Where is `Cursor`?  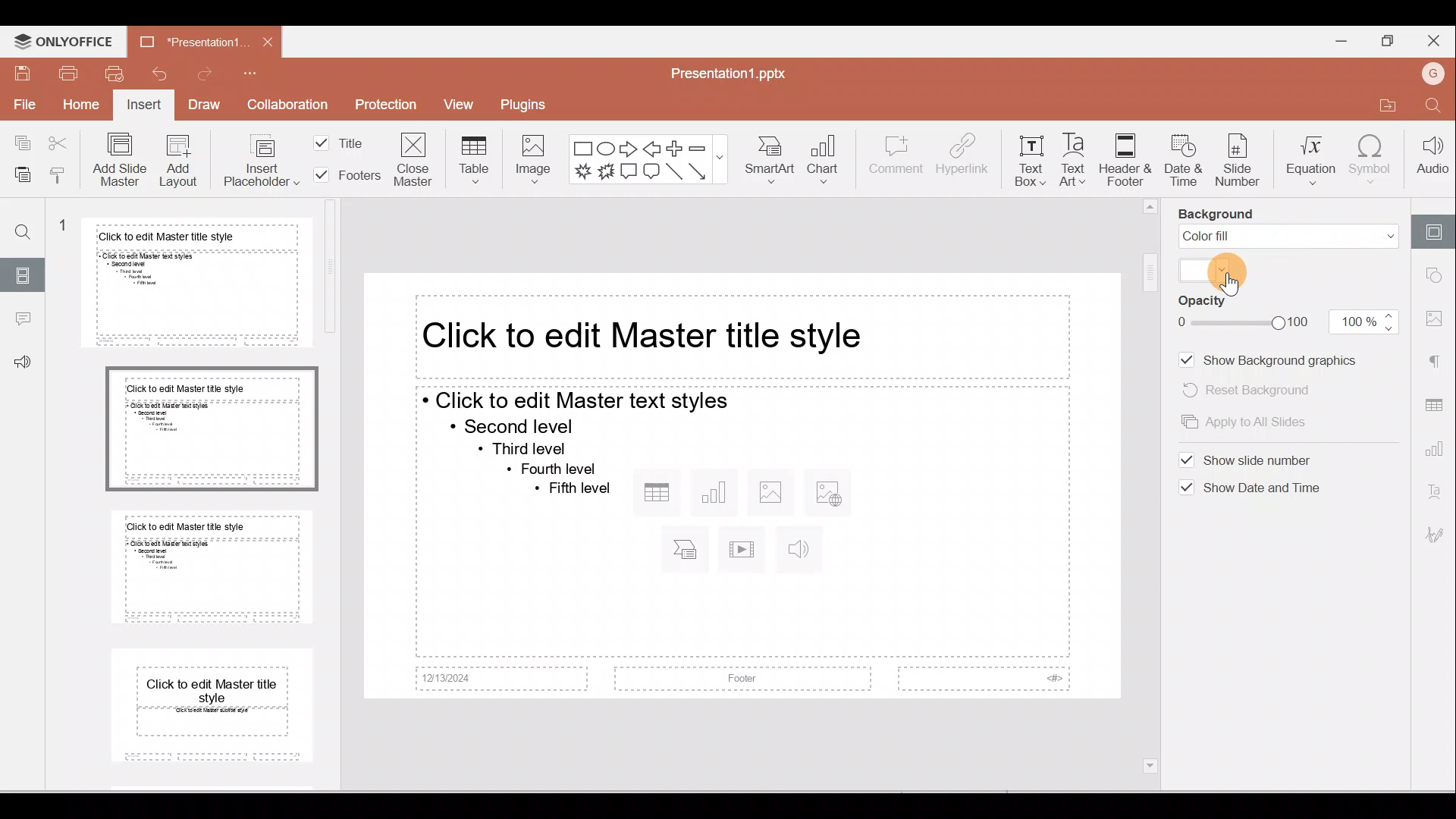 Cursor is located at coordinates (1230, 284).